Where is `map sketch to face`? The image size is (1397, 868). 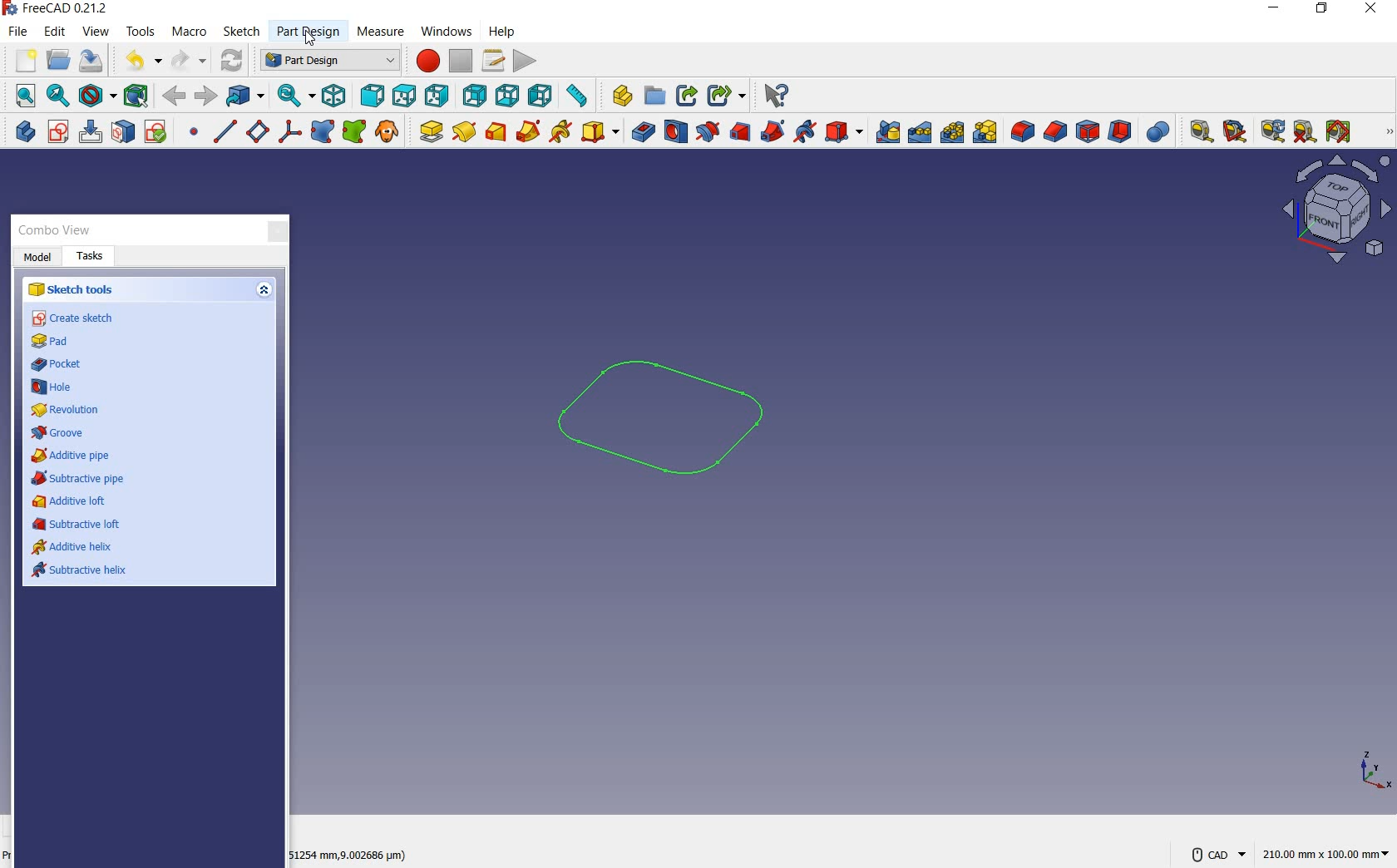
map sketch to face is located at coordinates (123, 133).